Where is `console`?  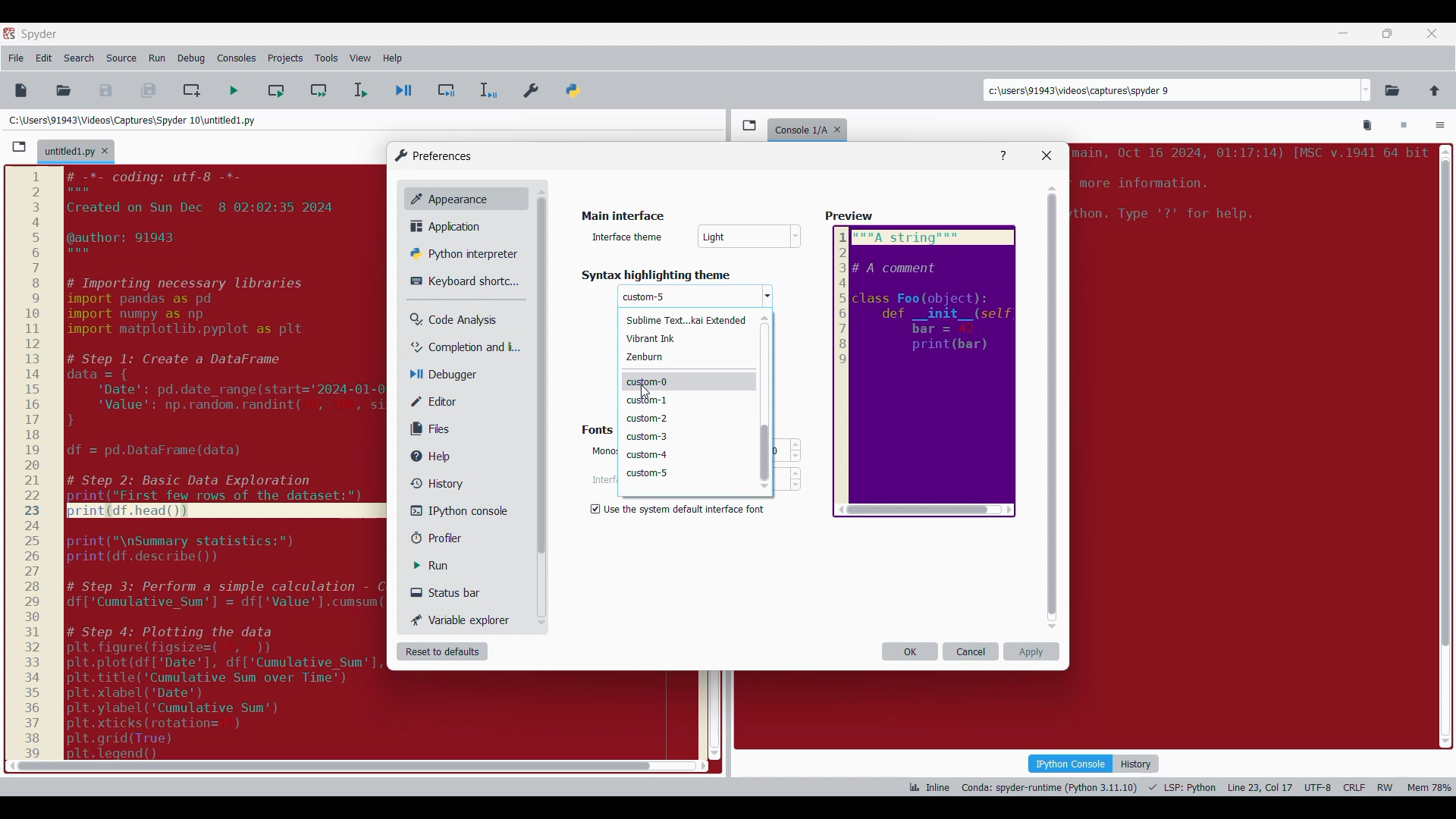
console is located at coordinates (798, 128).